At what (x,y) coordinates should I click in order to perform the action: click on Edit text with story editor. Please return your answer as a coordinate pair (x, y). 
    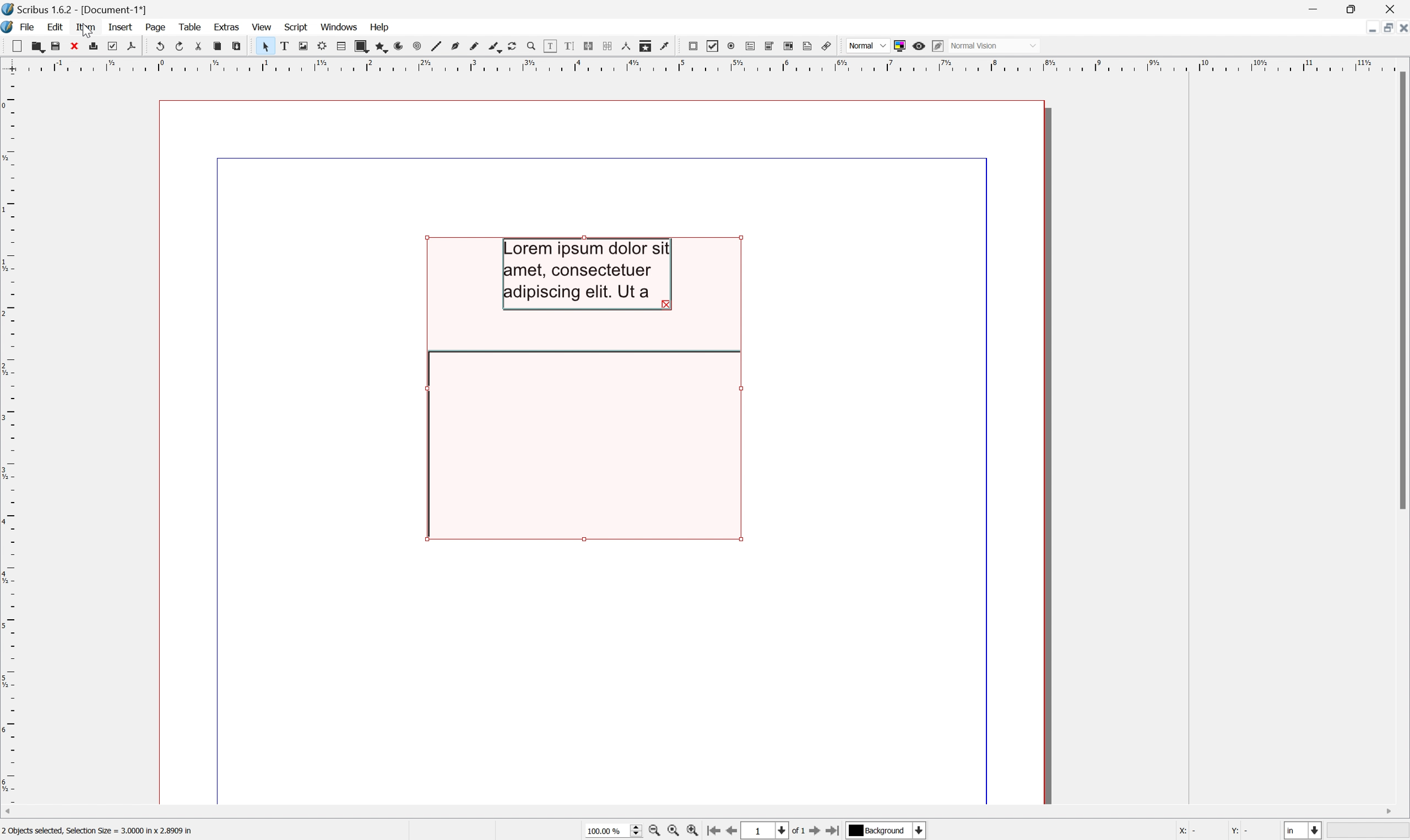
    Looking at the image, I should click on (567, 45).